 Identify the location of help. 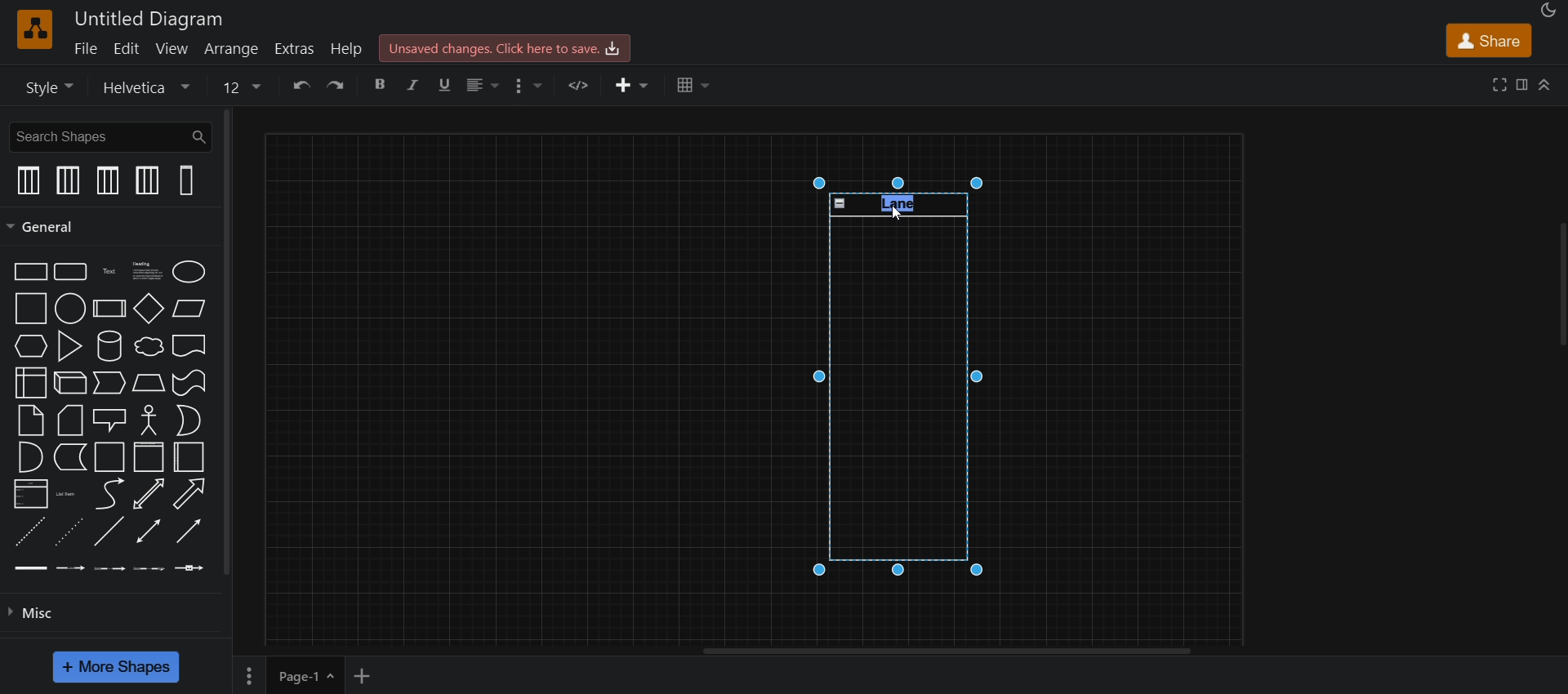
(348, 46).